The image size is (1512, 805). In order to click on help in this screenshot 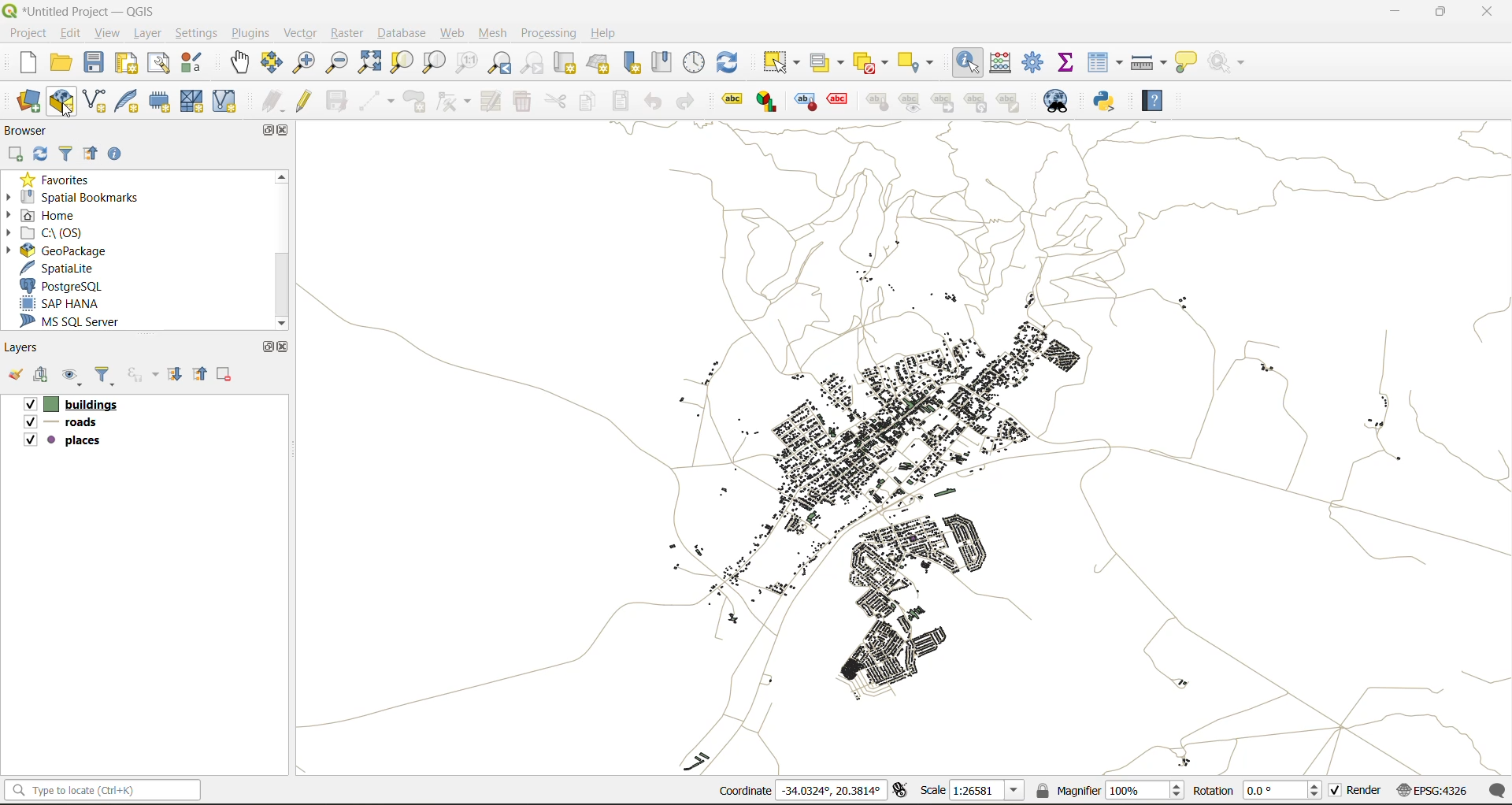, I will do `click(1152, 103)`.